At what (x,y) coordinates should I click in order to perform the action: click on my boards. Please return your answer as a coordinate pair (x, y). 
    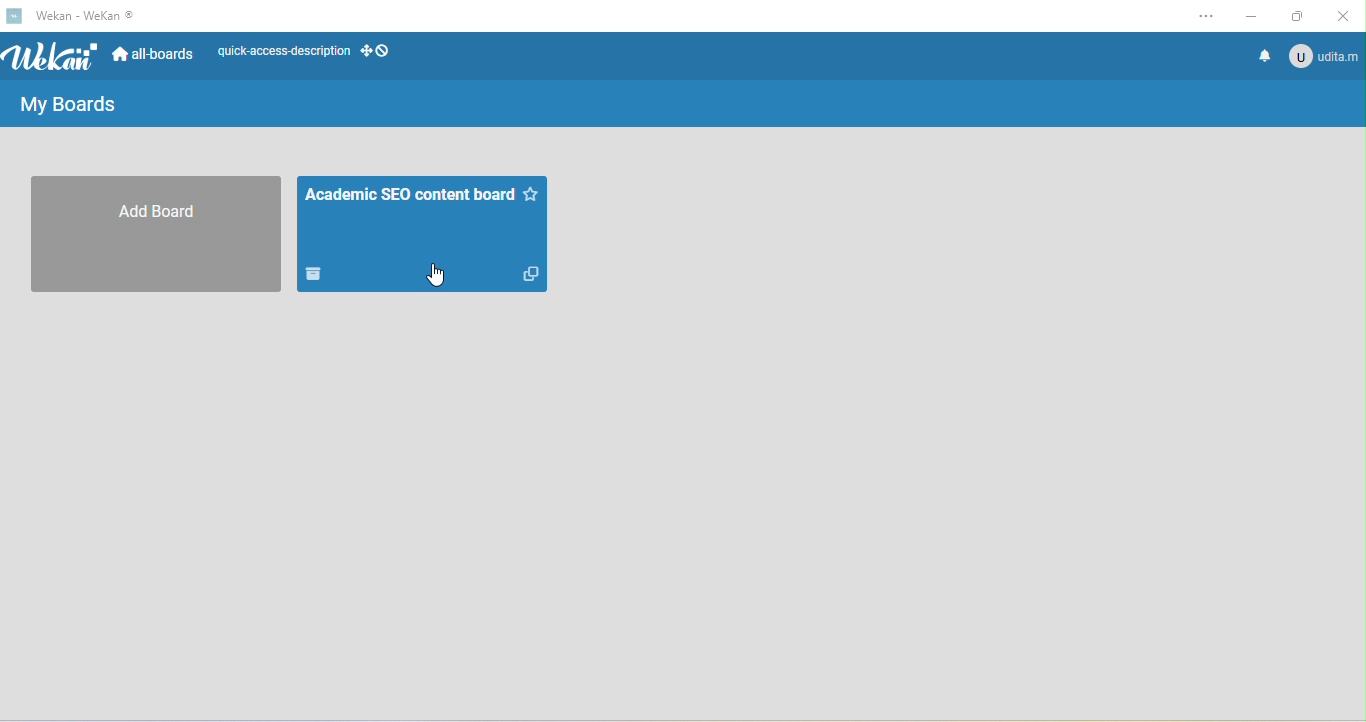
    Looking at the image, I should click on (76, 108).